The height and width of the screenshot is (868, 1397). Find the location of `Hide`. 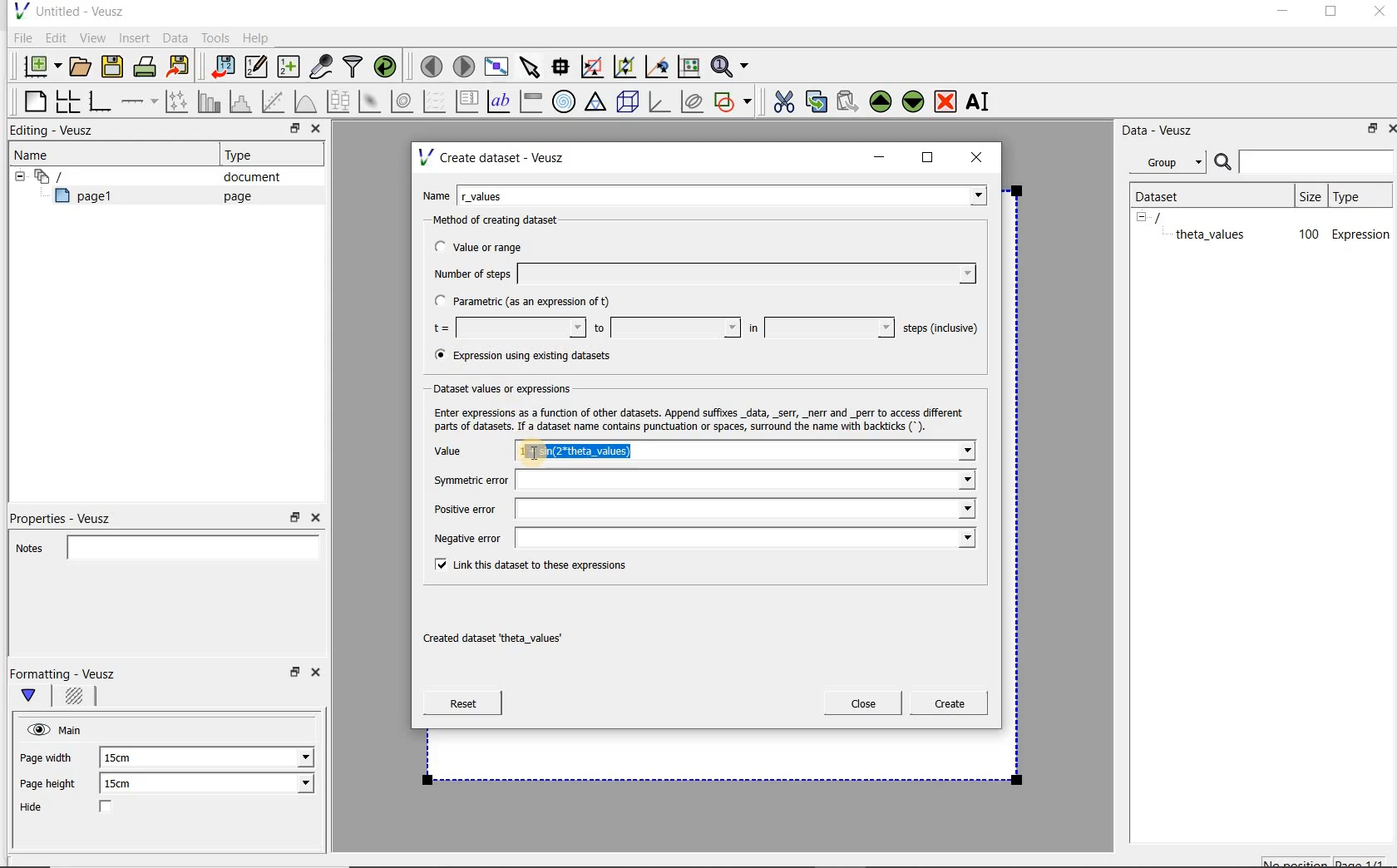

Hide is located at coordinates (82, 808).